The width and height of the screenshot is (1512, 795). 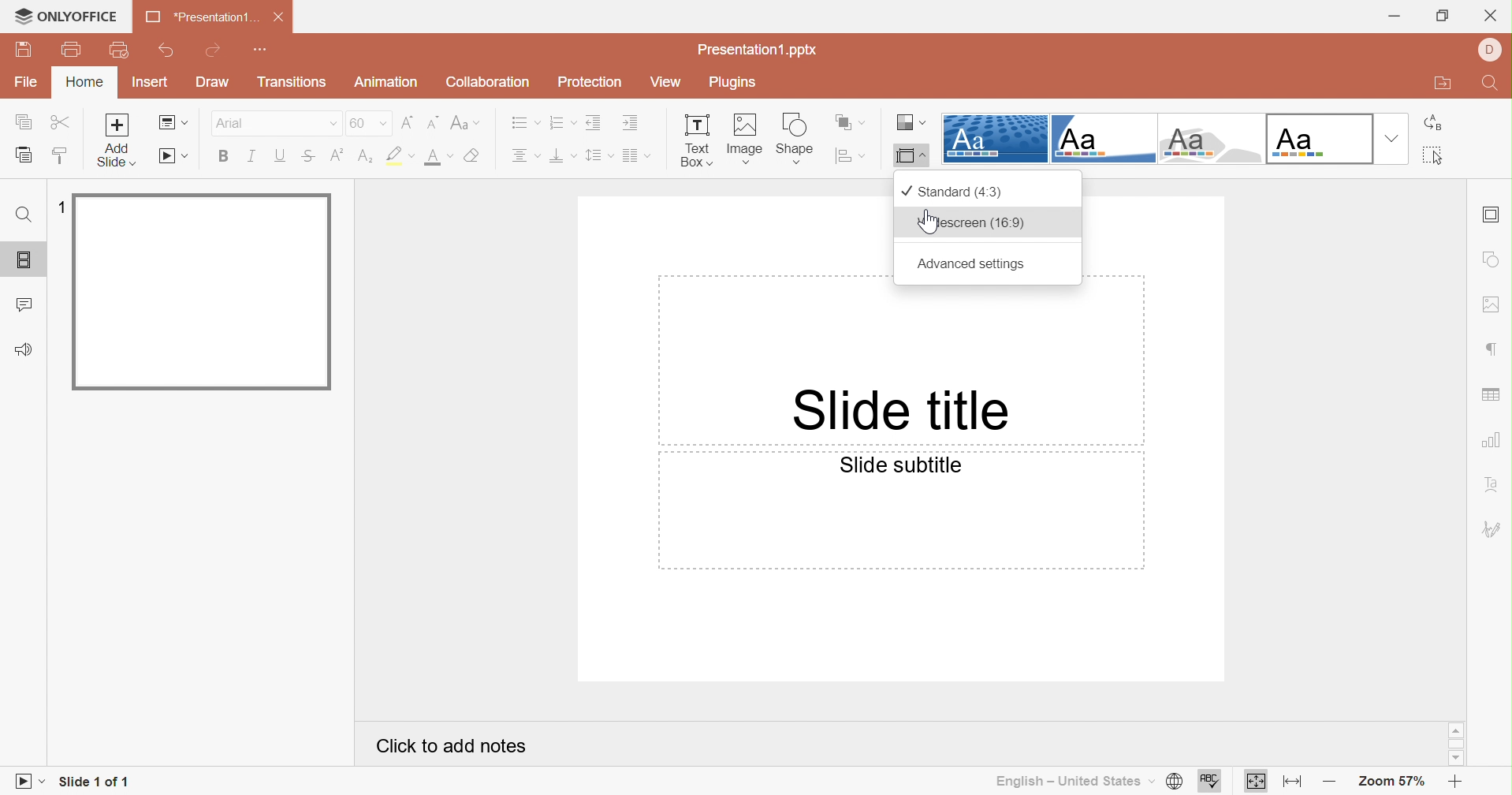 I want to click on Text art settings, so click(x=1494, y=483).